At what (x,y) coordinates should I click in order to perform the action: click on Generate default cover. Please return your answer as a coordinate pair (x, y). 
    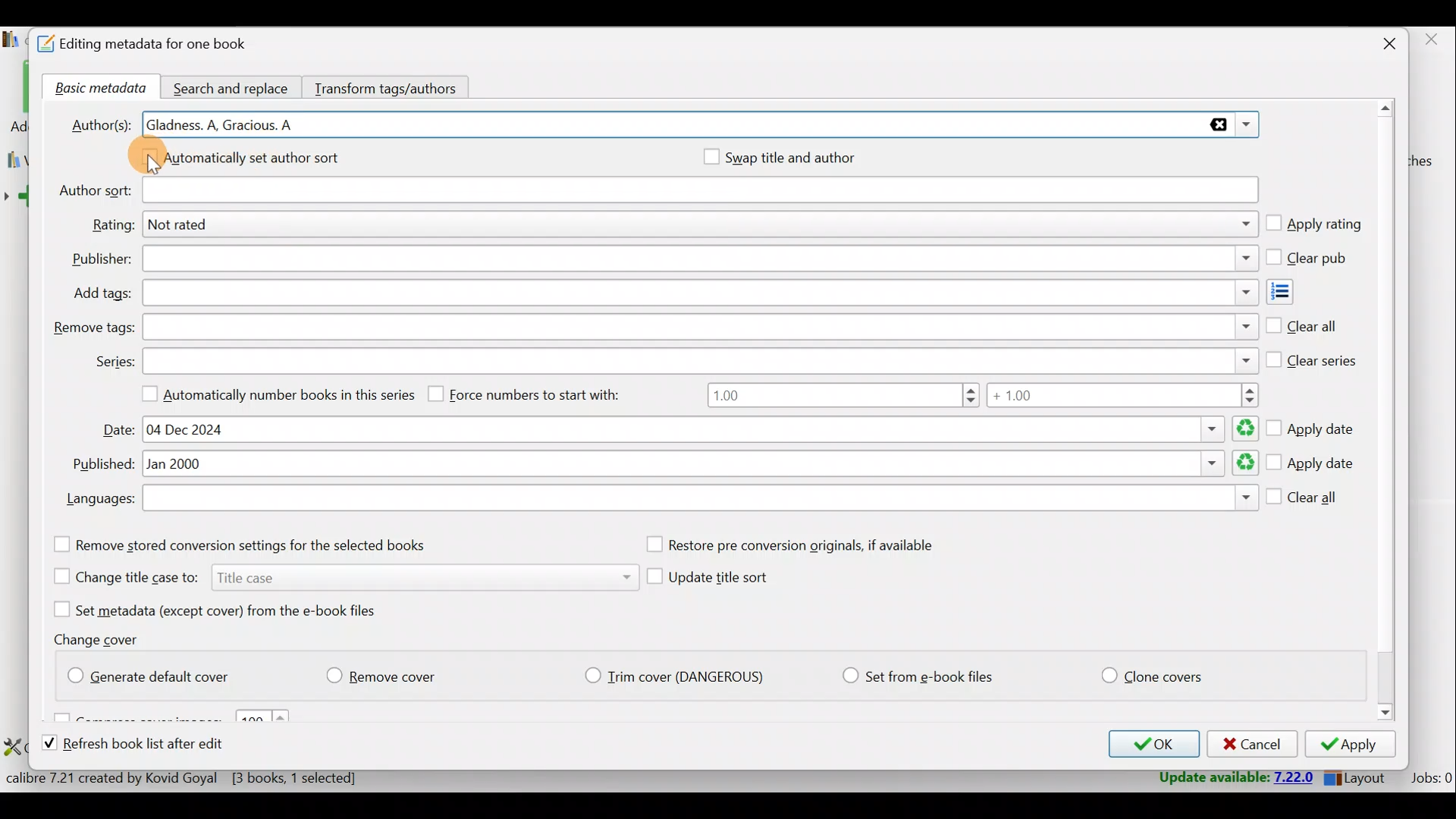
    Looking at the image, I should click on (156, 673).